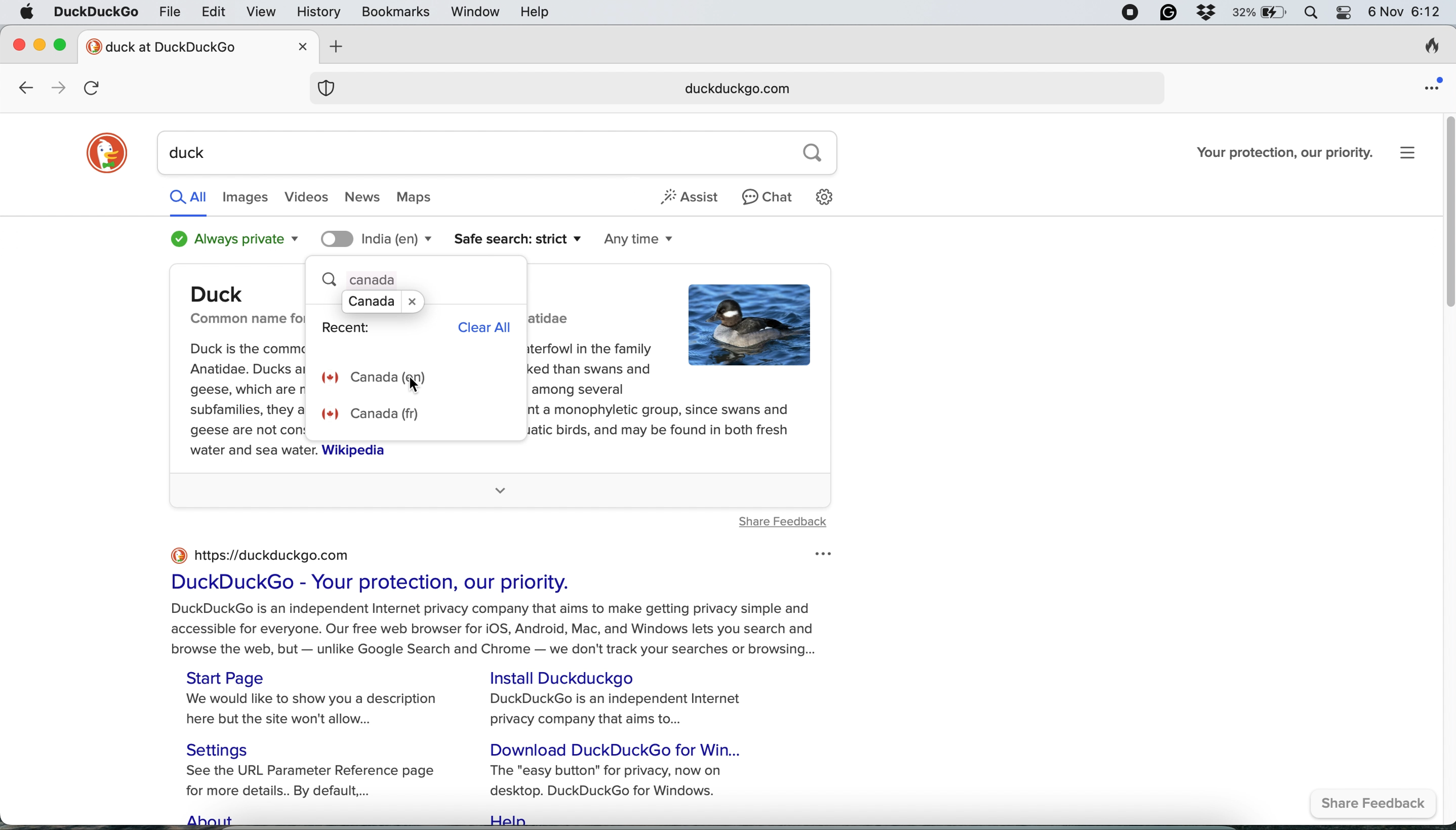 This screenshot has height=830, width=1456. I want to click on Settings, so click(225, 748).